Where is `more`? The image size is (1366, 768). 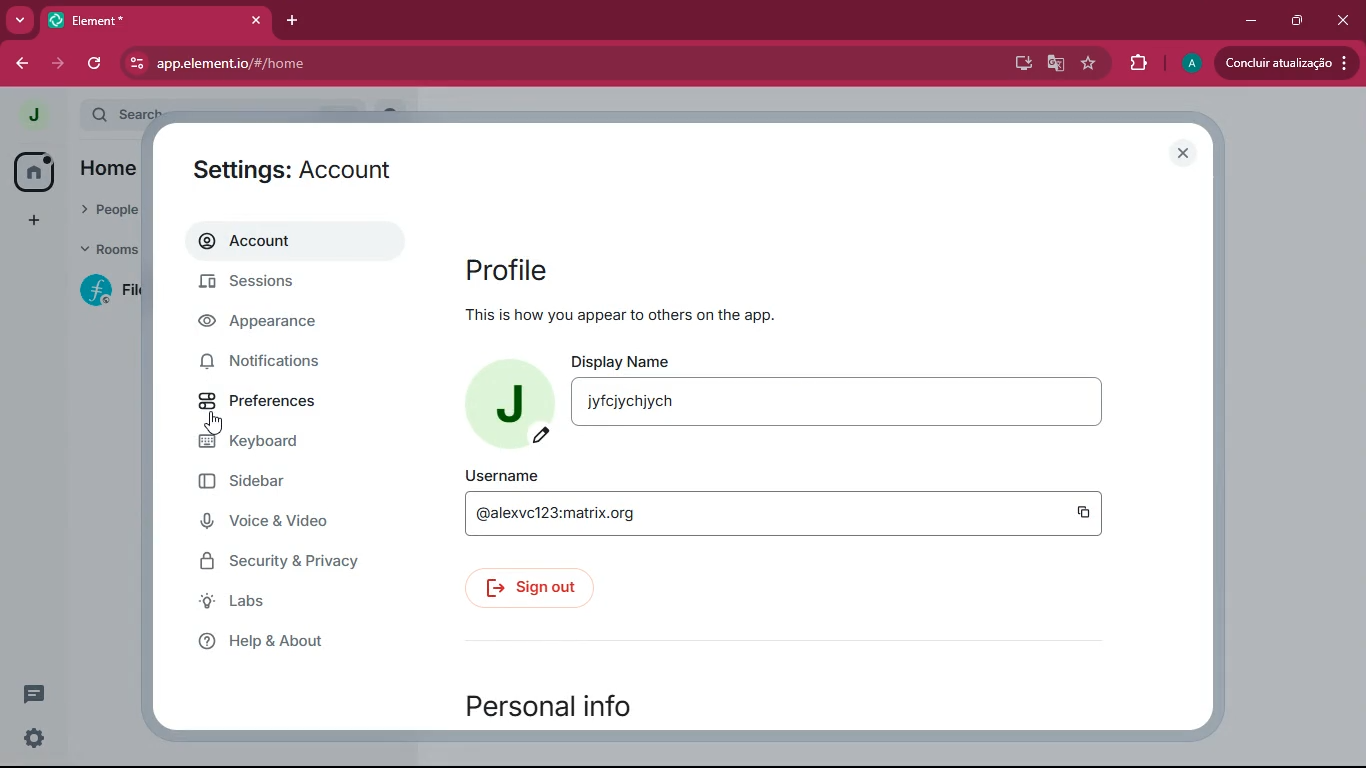 more is located at coordinates (19, 18).